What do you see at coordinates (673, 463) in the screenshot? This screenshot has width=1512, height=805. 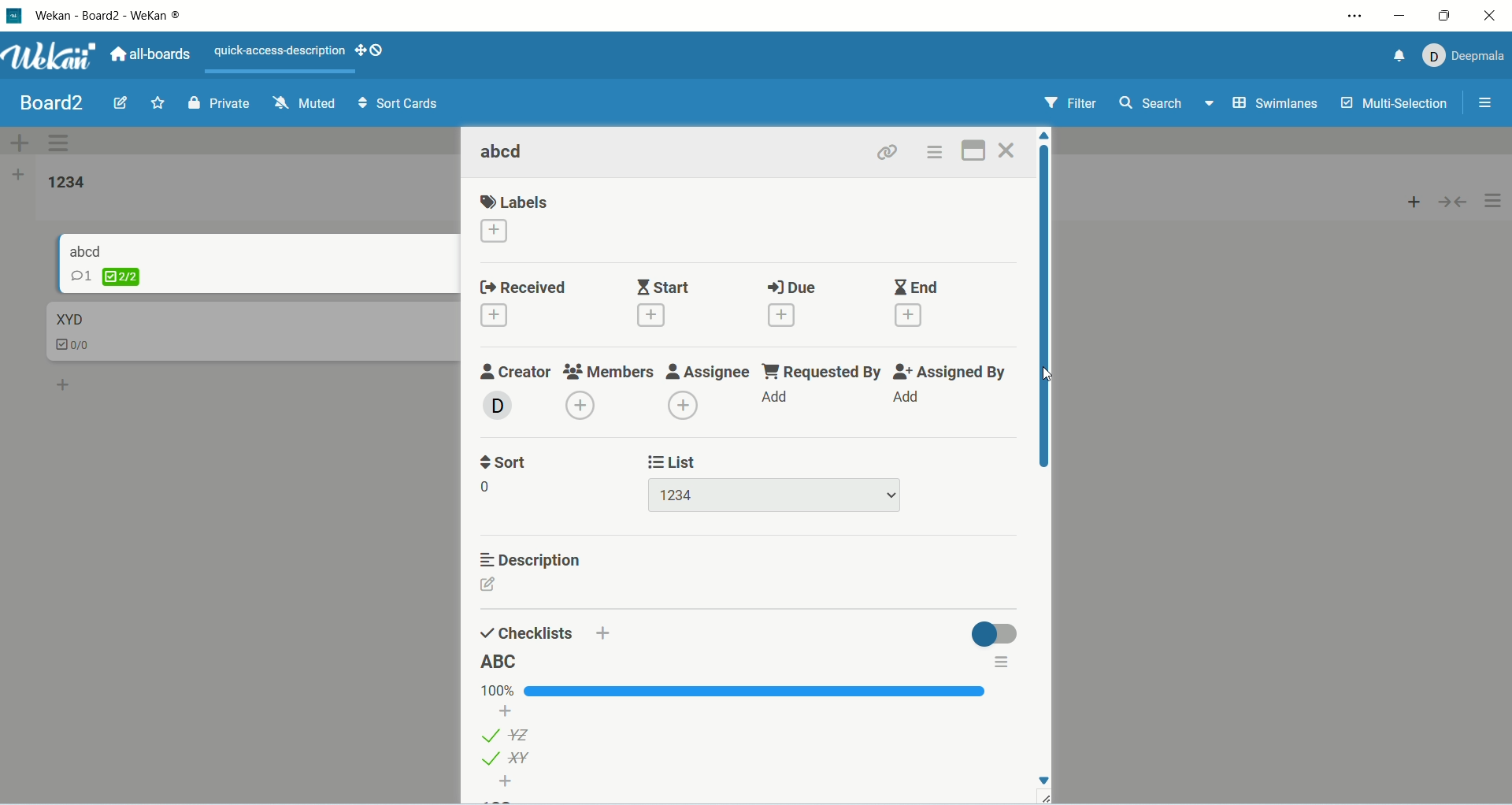 I see `list` at bounding box center [673, 463].